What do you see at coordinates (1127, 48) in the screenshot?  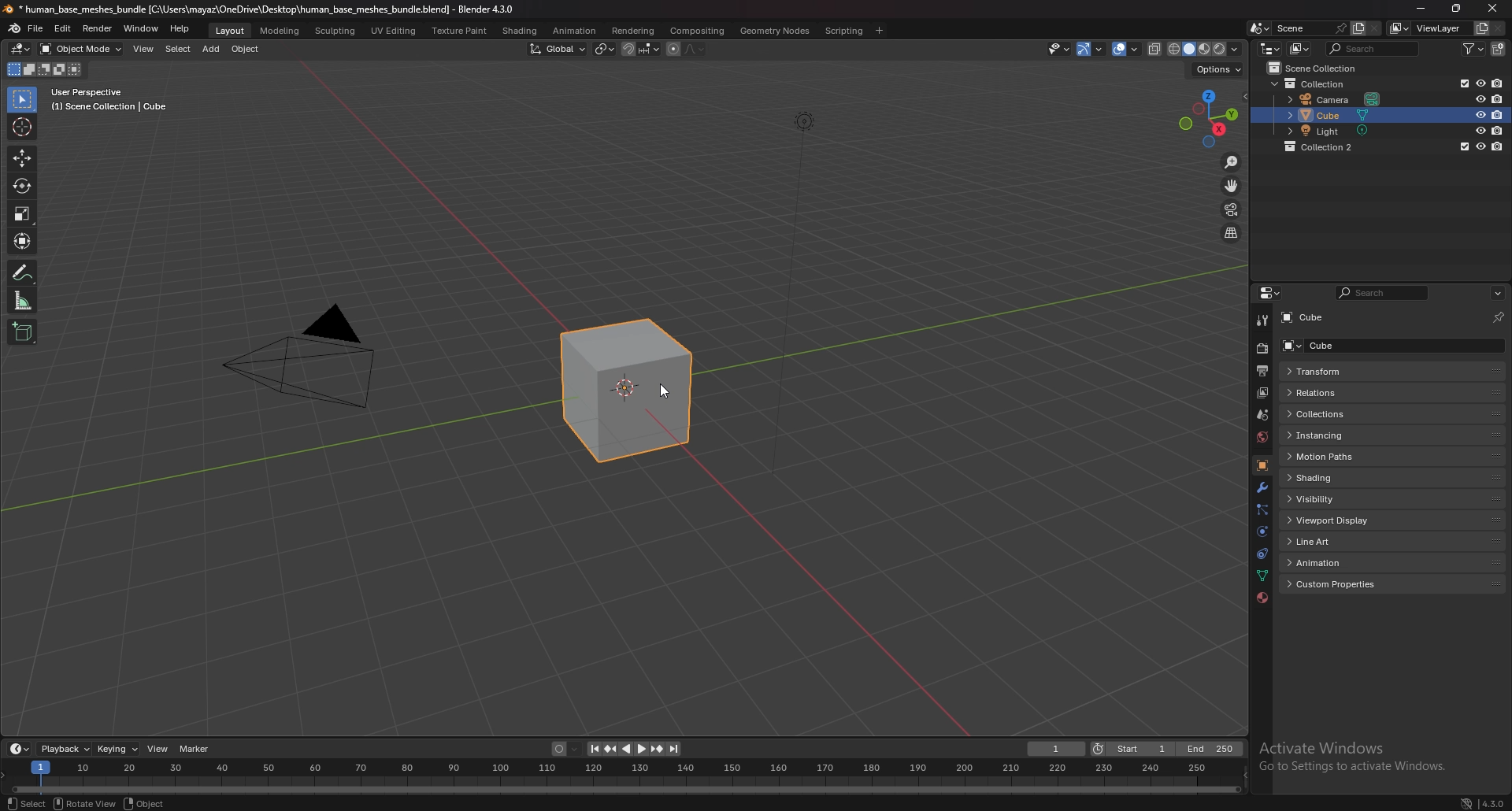 I see `show overlays` at bounding box center [1127, 48].